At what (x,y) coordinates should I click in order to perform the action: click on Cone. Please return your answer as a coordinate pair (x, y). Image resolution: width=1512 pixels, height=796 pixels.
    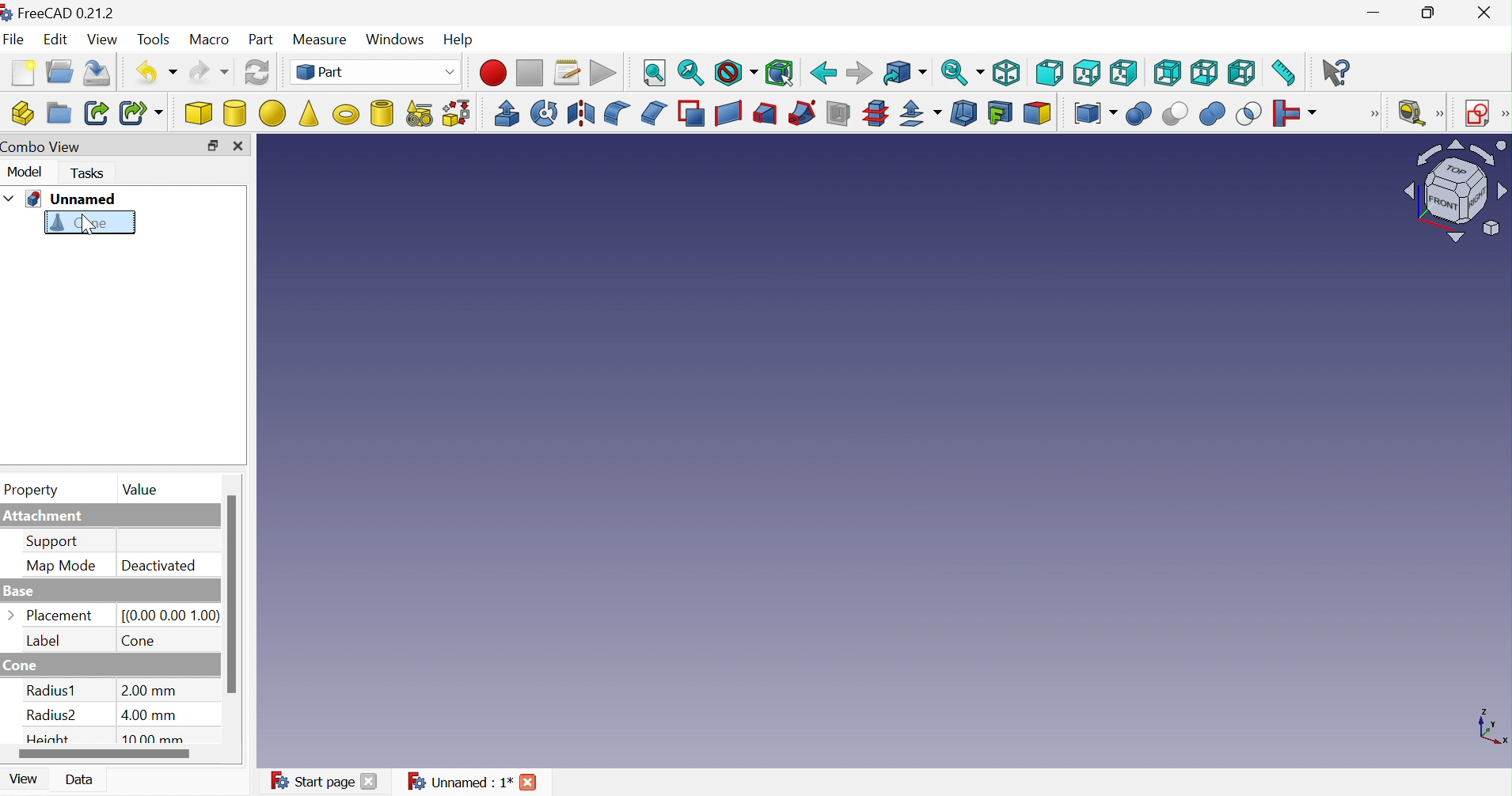
    Looking at the image, I should click on (309, 112).